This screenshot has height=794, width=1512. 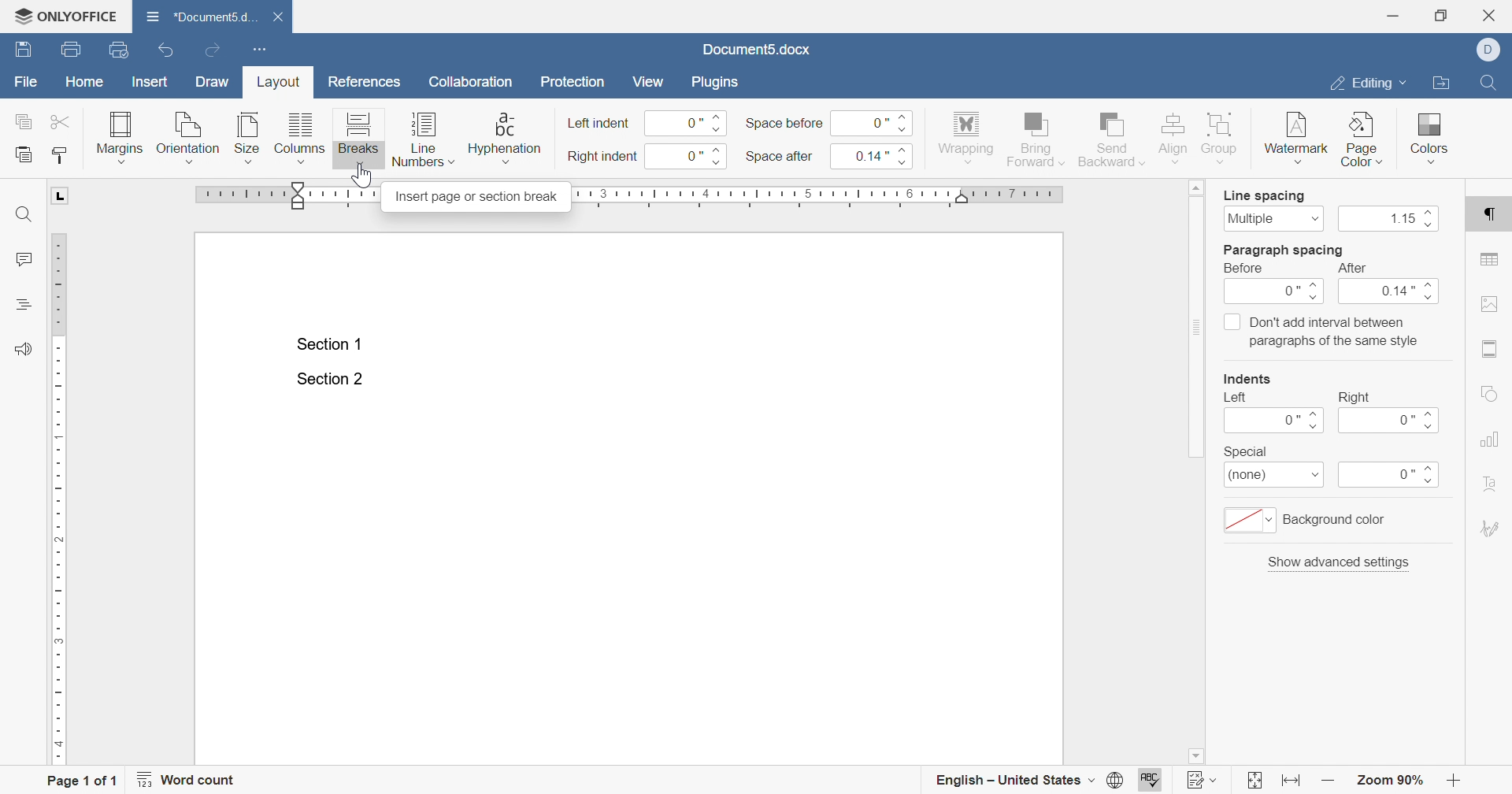 I want to click on space after, so click(x=779, y=155).